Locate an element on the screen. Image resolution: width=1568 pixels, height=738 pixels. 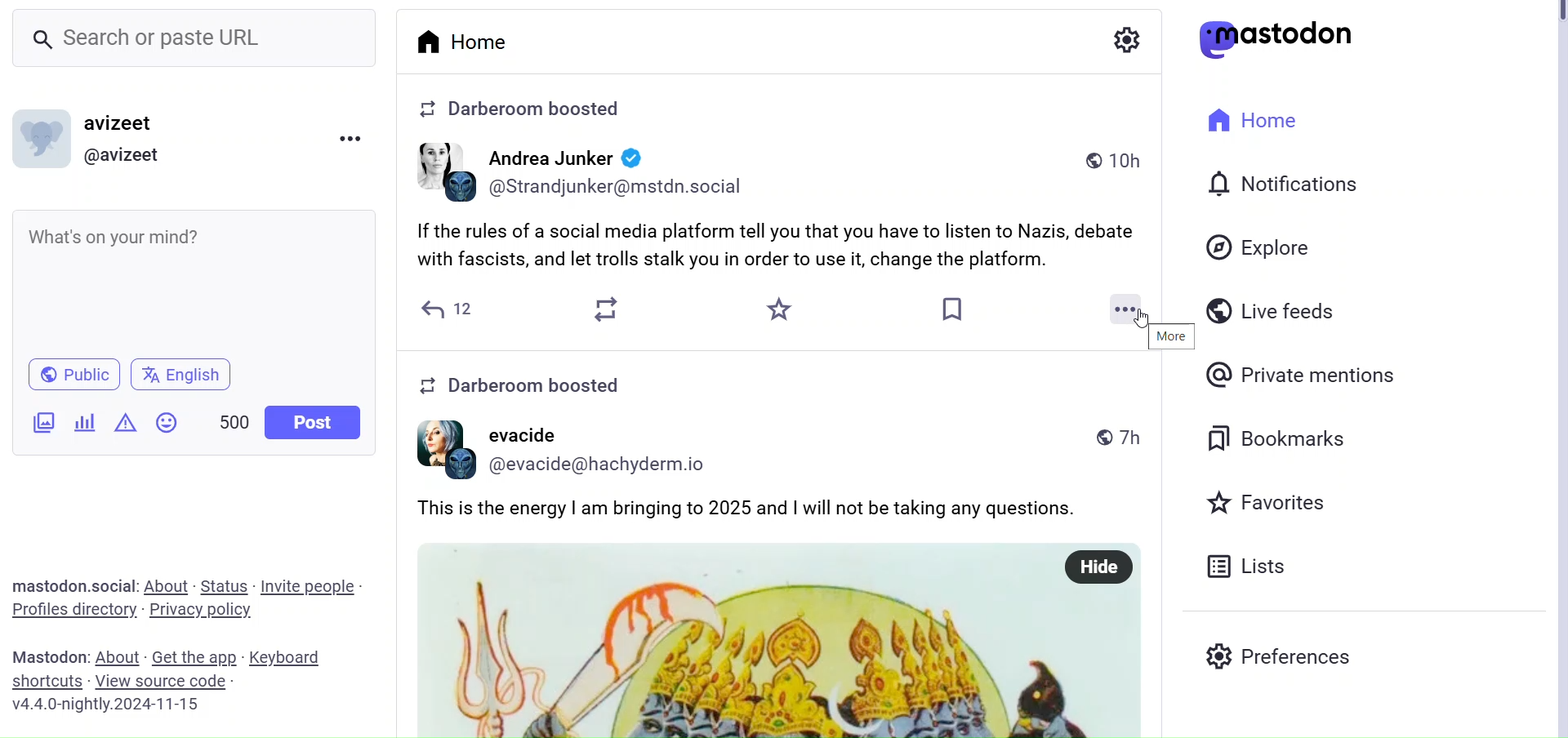
Poll is located at coordinates (87, 424).